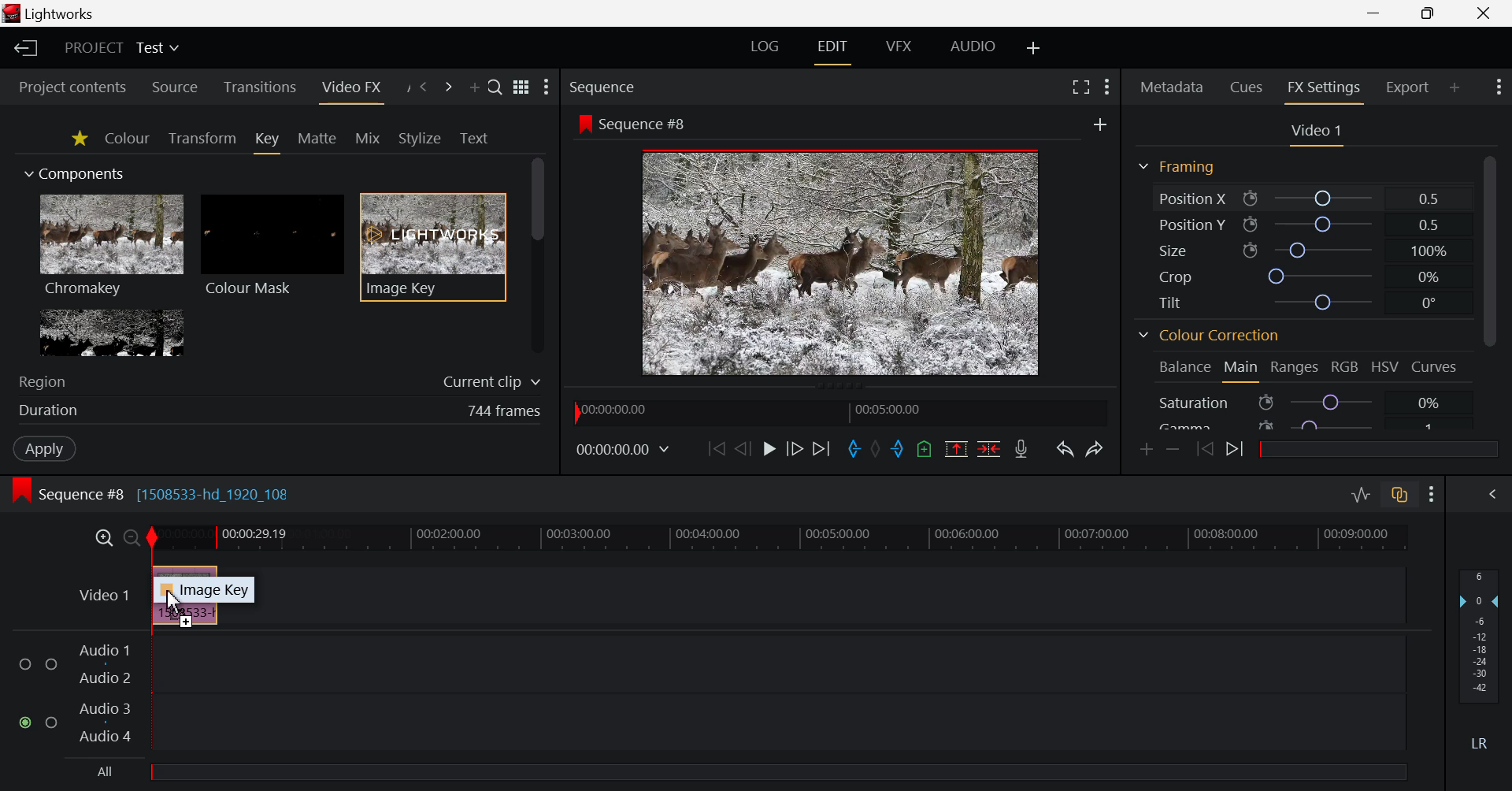 The width and height of the screenshot is (1512, 791). I want to click on Previous Panel, so click(424, 87).